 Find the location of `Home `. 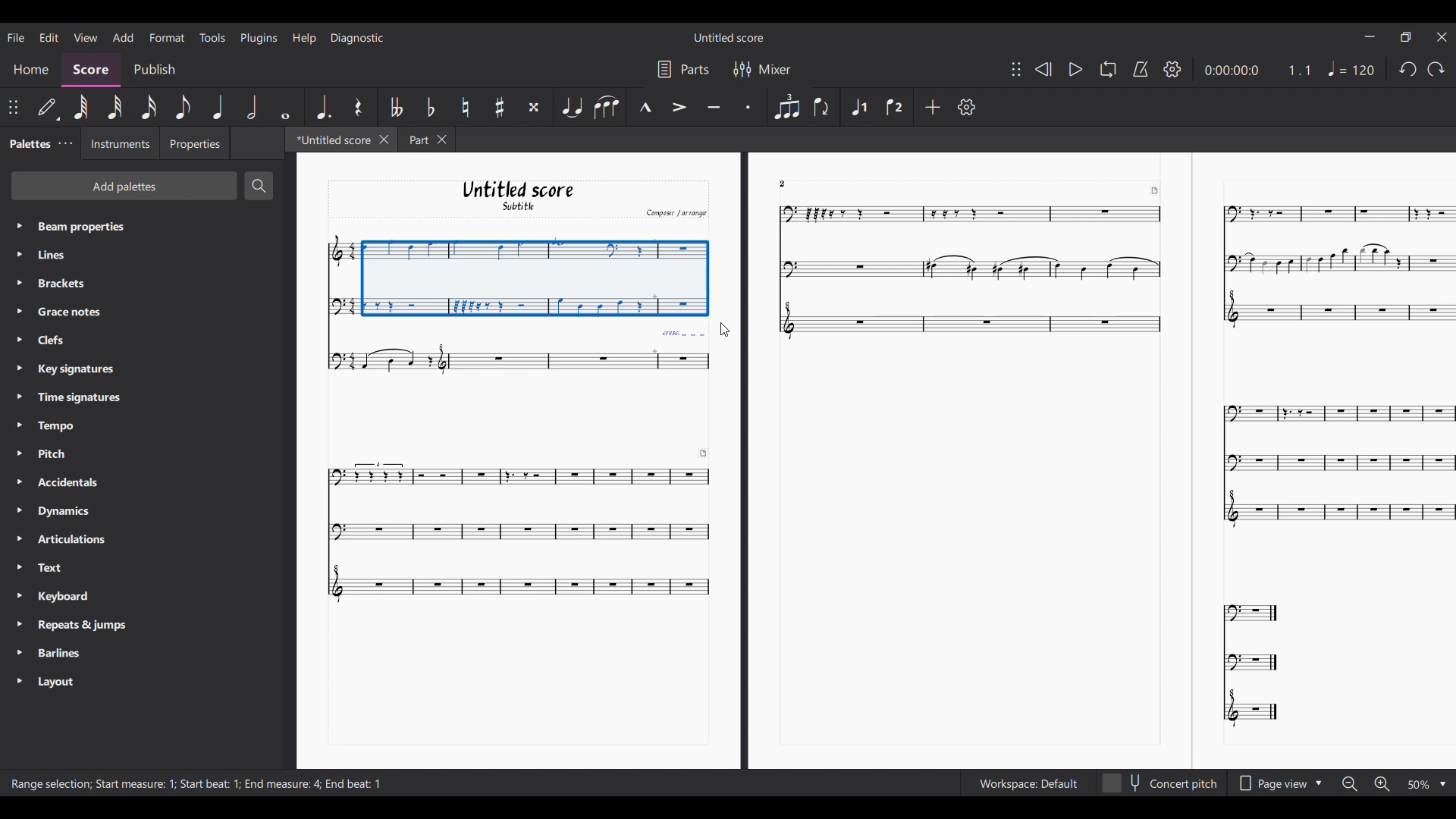

Home  is located at coordinates (31, 71).